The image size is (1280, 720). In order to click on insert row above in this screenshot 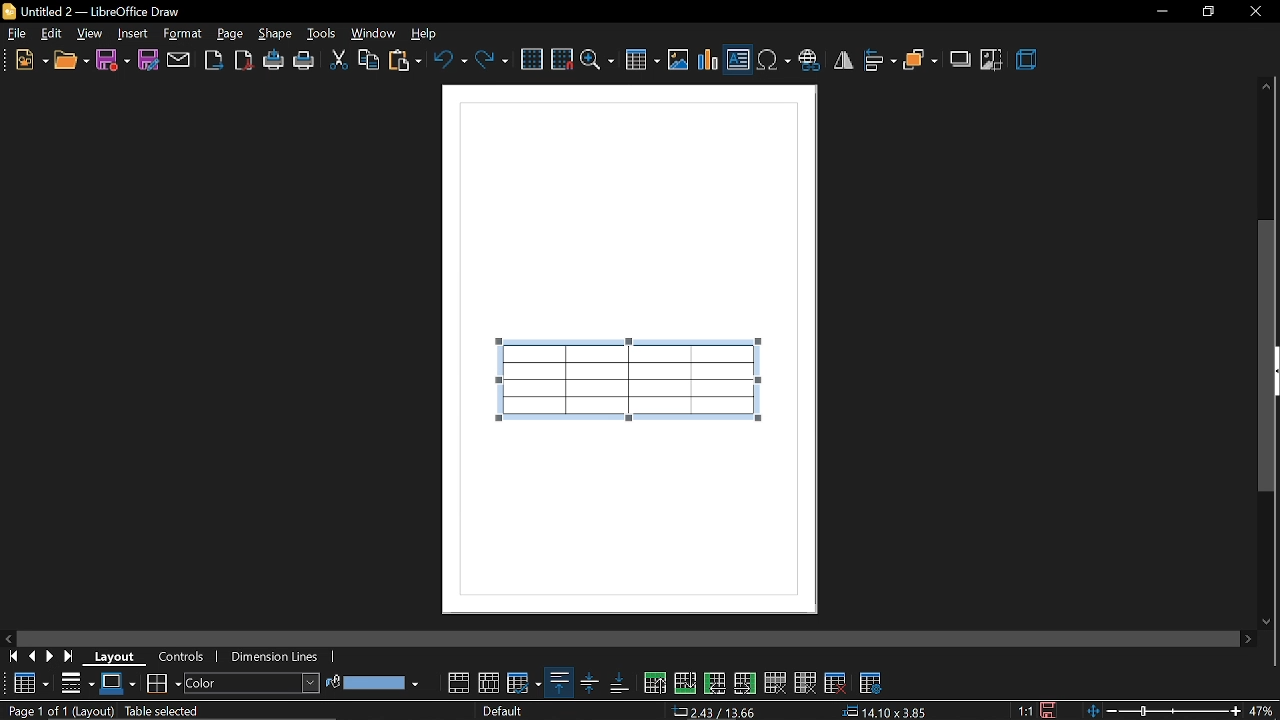, I will do `click(655, 683)`.